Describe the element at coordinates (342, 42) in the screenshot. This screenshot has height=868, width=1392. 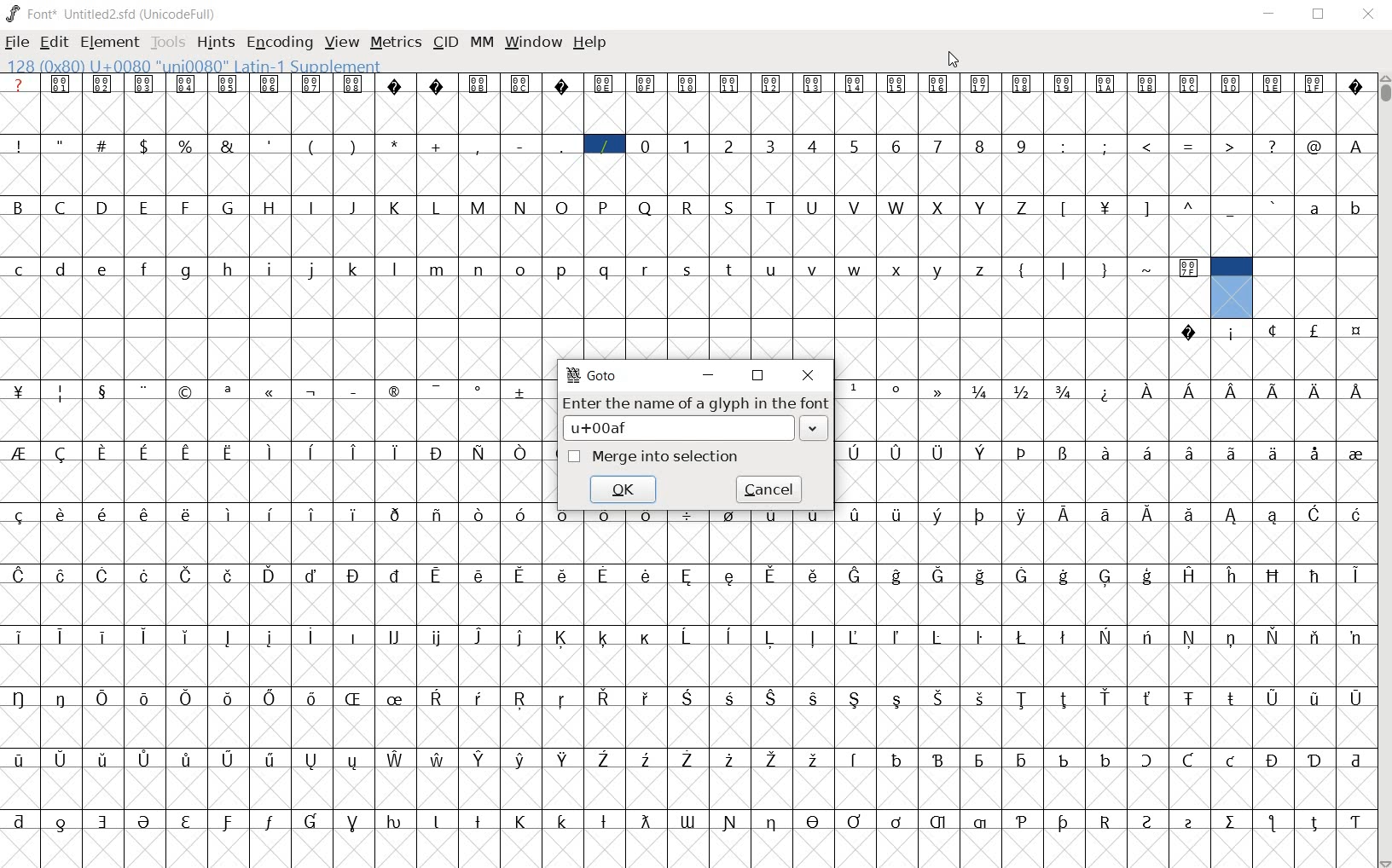
I see `view` at that location.